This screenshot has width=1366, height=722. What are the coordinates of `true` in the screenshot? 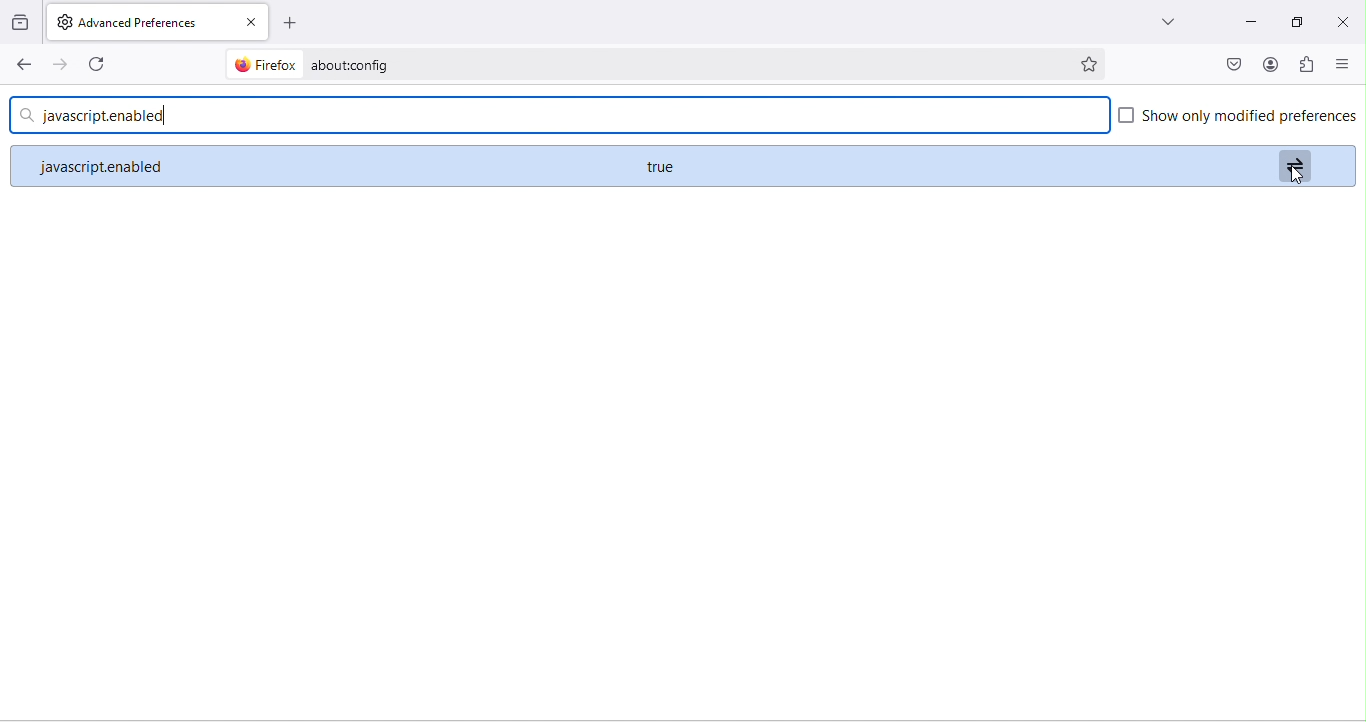 It's located at (662, 167).